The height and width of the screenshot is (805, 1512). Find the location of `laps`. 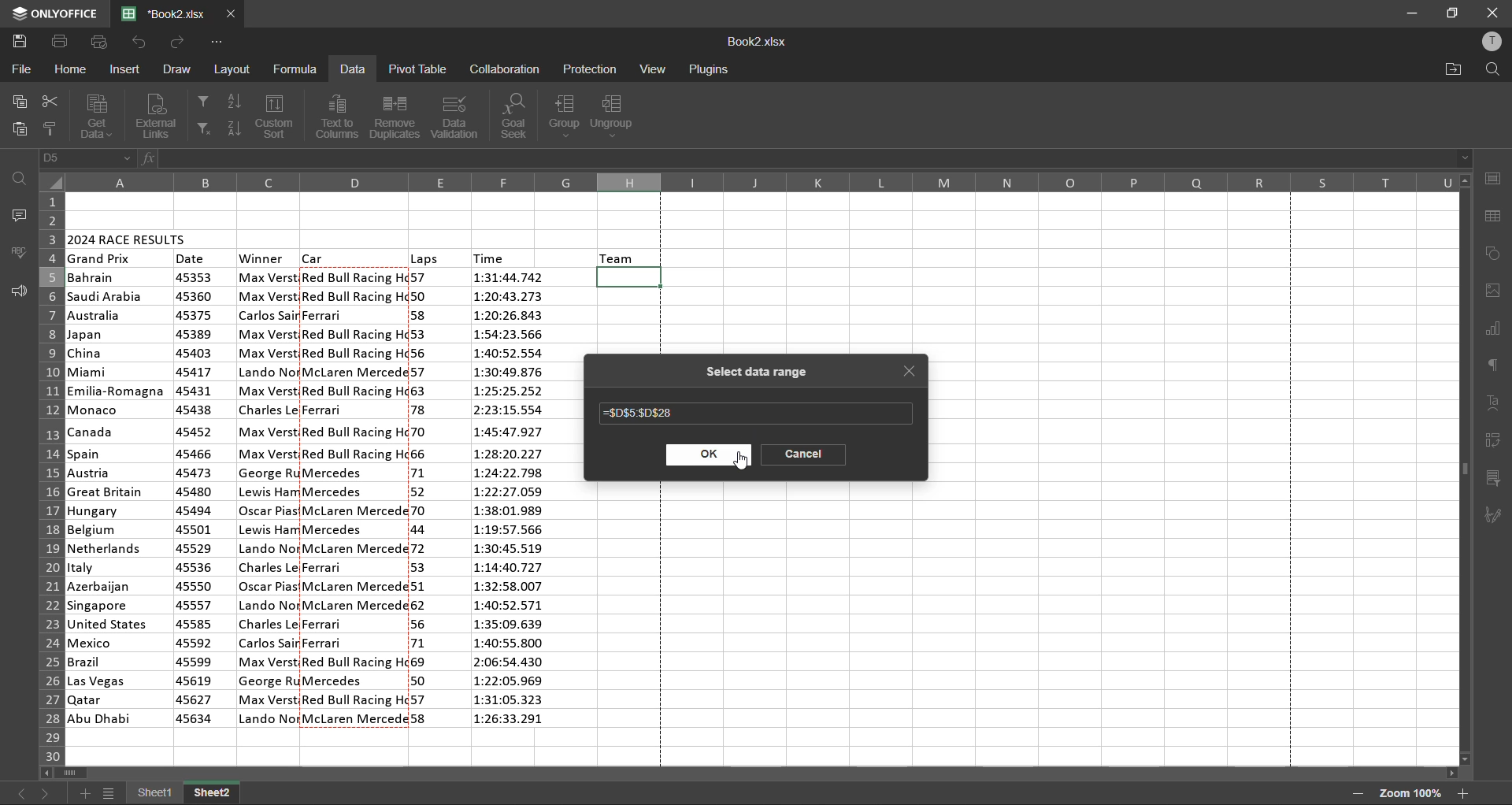

laps is located at coordinates (424, 258).